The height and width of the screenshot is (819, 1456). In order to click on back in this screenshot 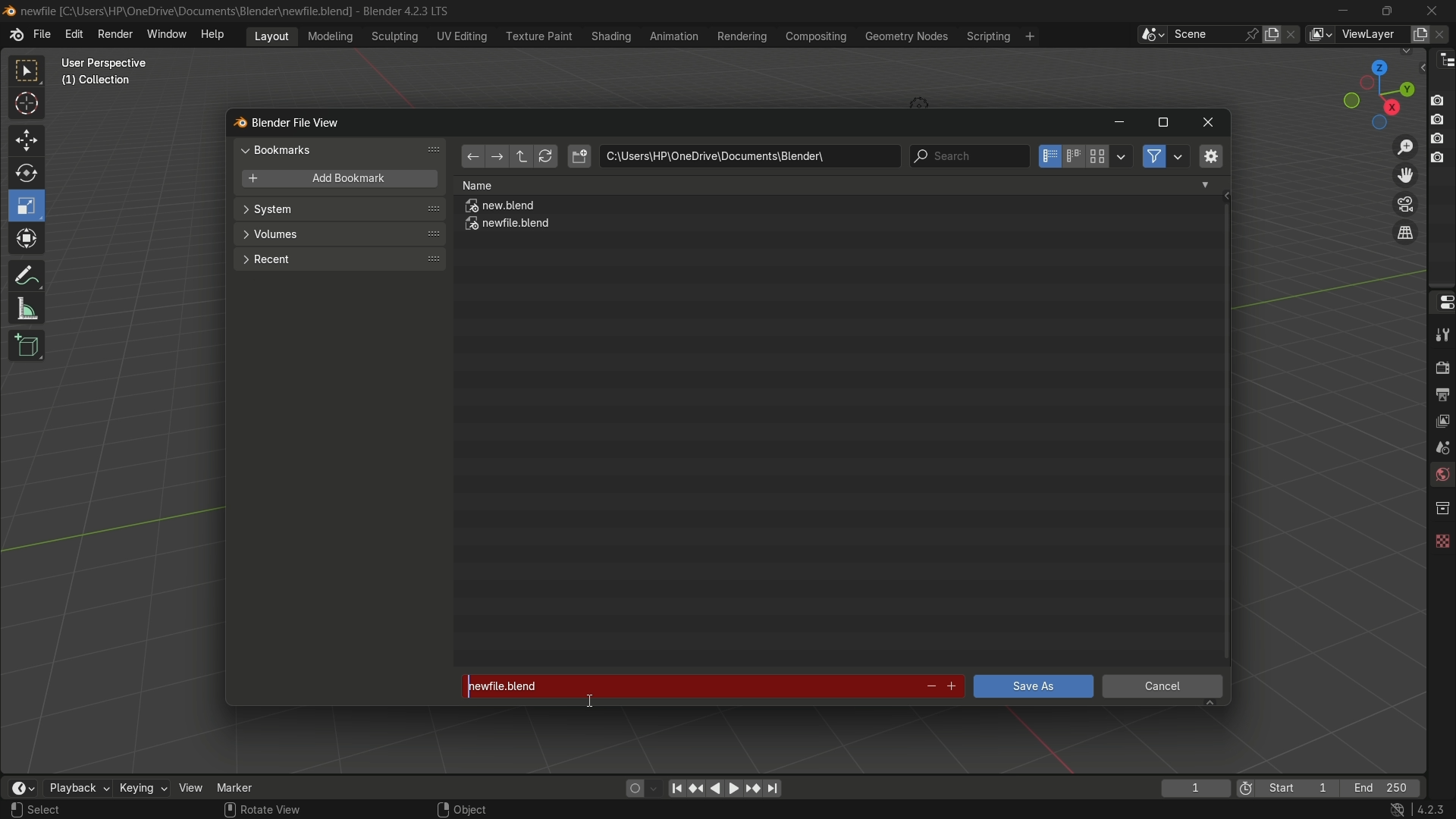, I will do `click(472, 158)`.